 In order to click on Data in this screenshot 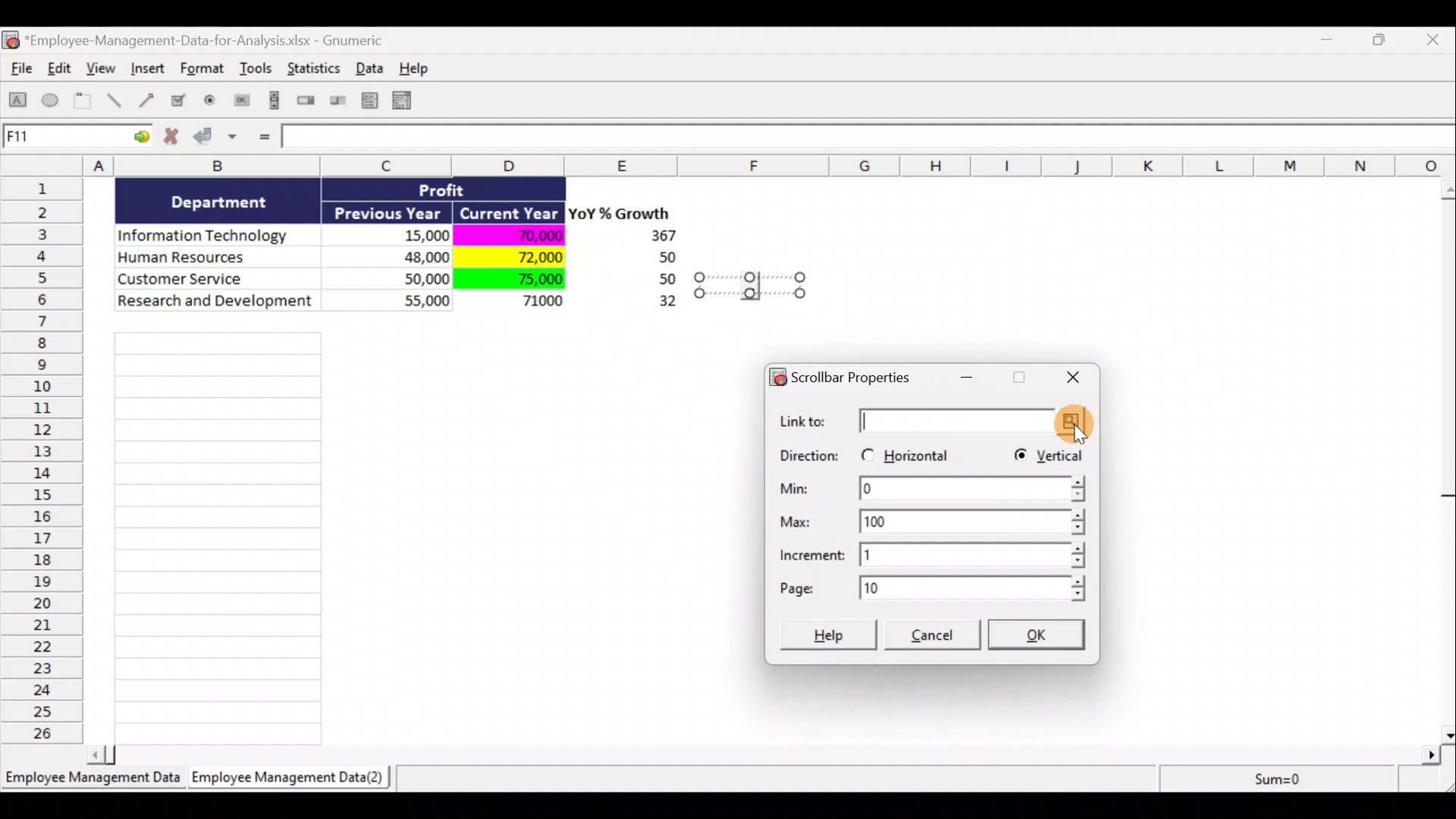, I will do `click(374, 67)`.